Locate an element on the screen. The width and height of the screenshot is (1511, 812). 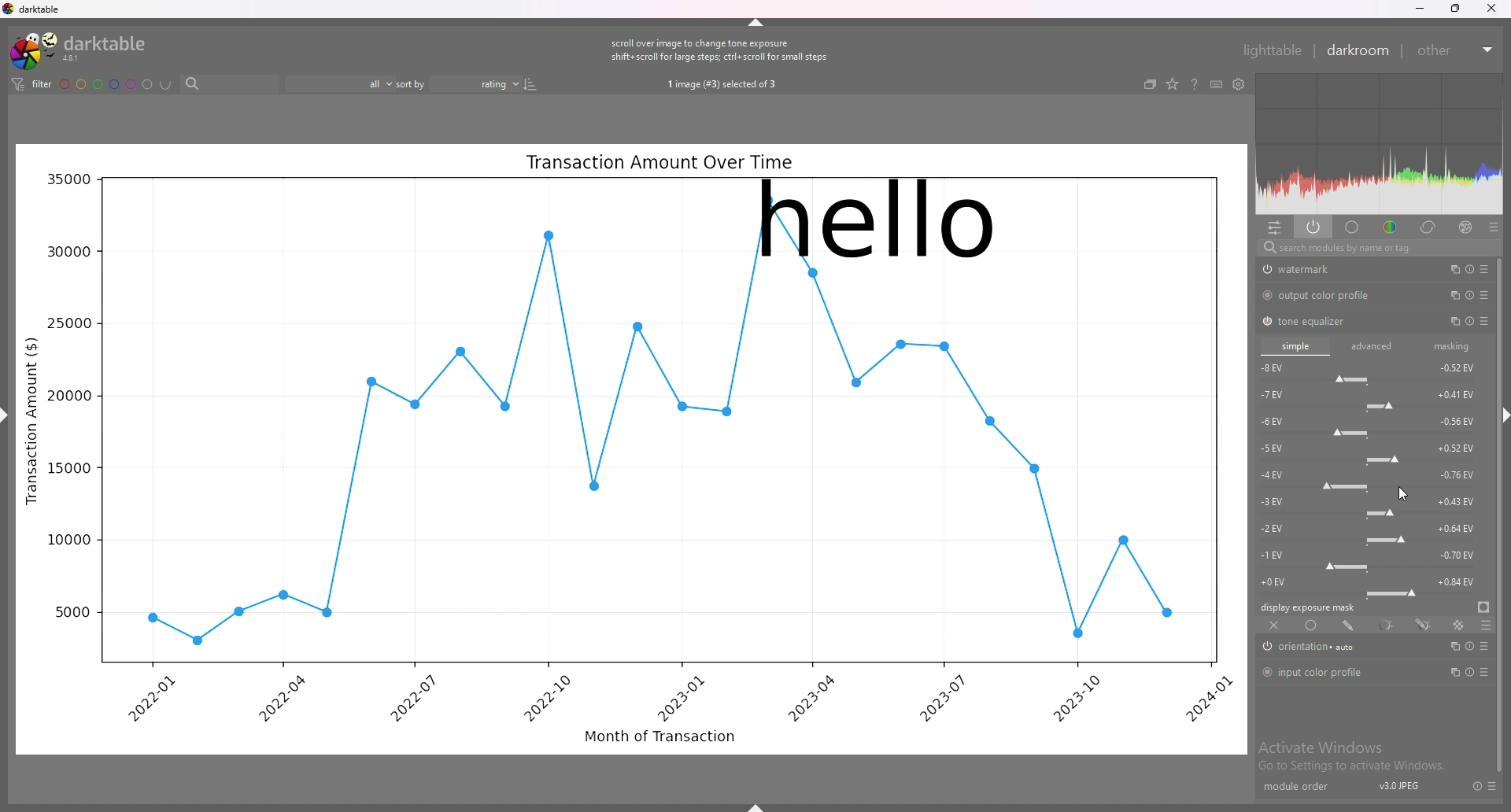
switch off/on is located at coordinates (1265, 295).